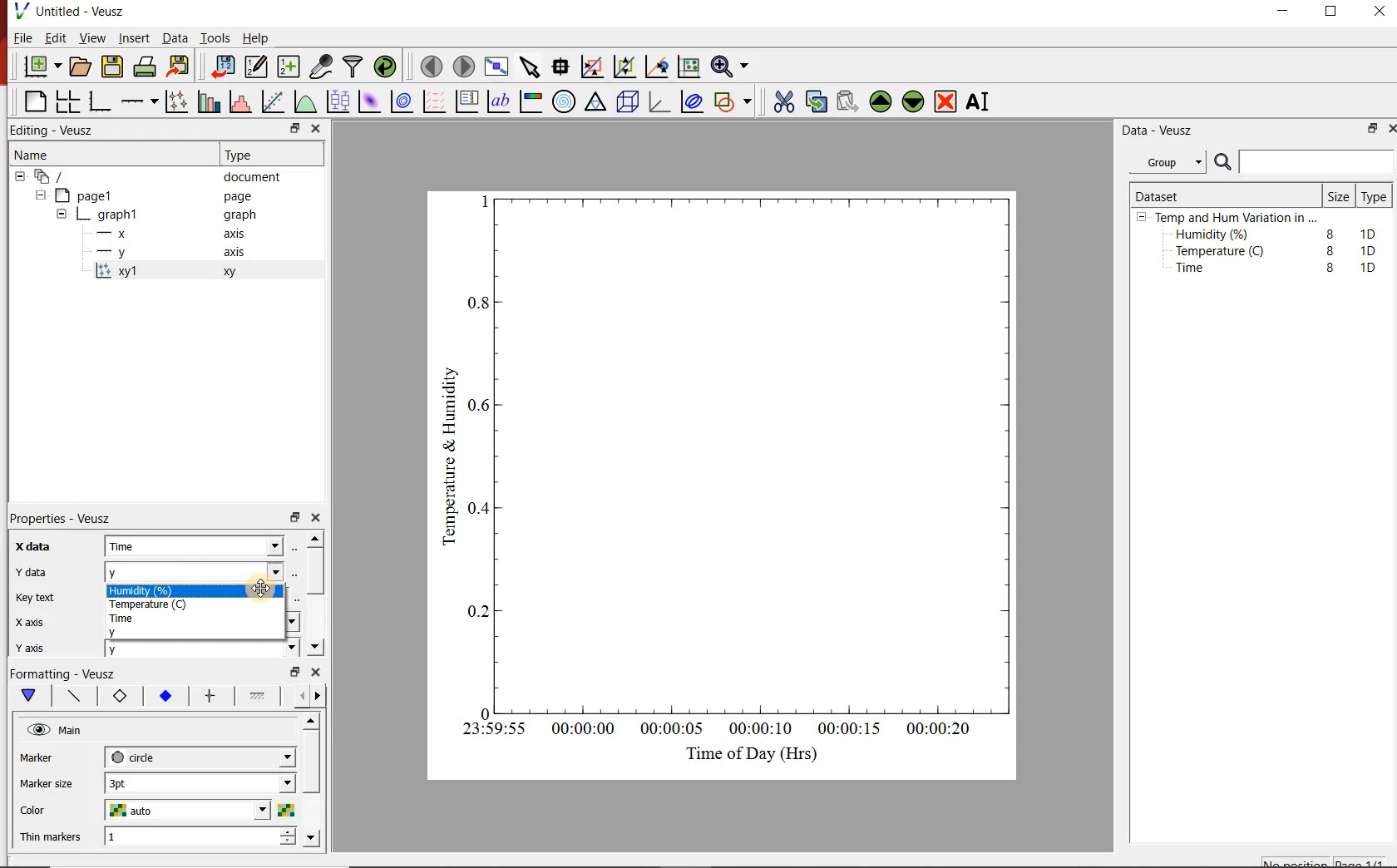 This screenshot has width=1397, height=868. Describe the element at coordinates (696, 105) in the screenshot. I see `plot covariance ellipses` at that location.